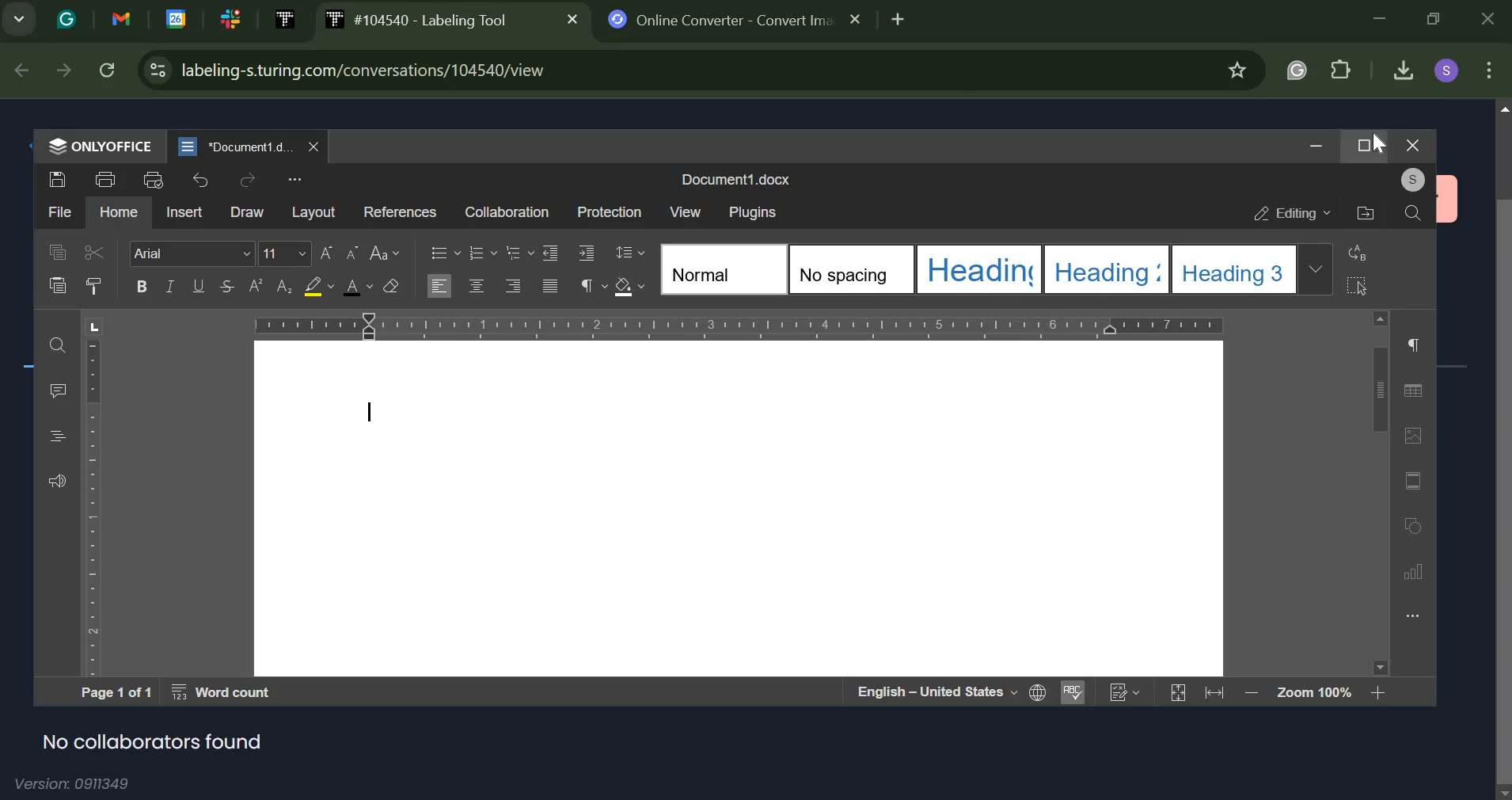 The width and height of the screenshot is (1512, 800). Describe the element at coordinates (1315, 145) in the screenshot. I see `minimize` at that location.